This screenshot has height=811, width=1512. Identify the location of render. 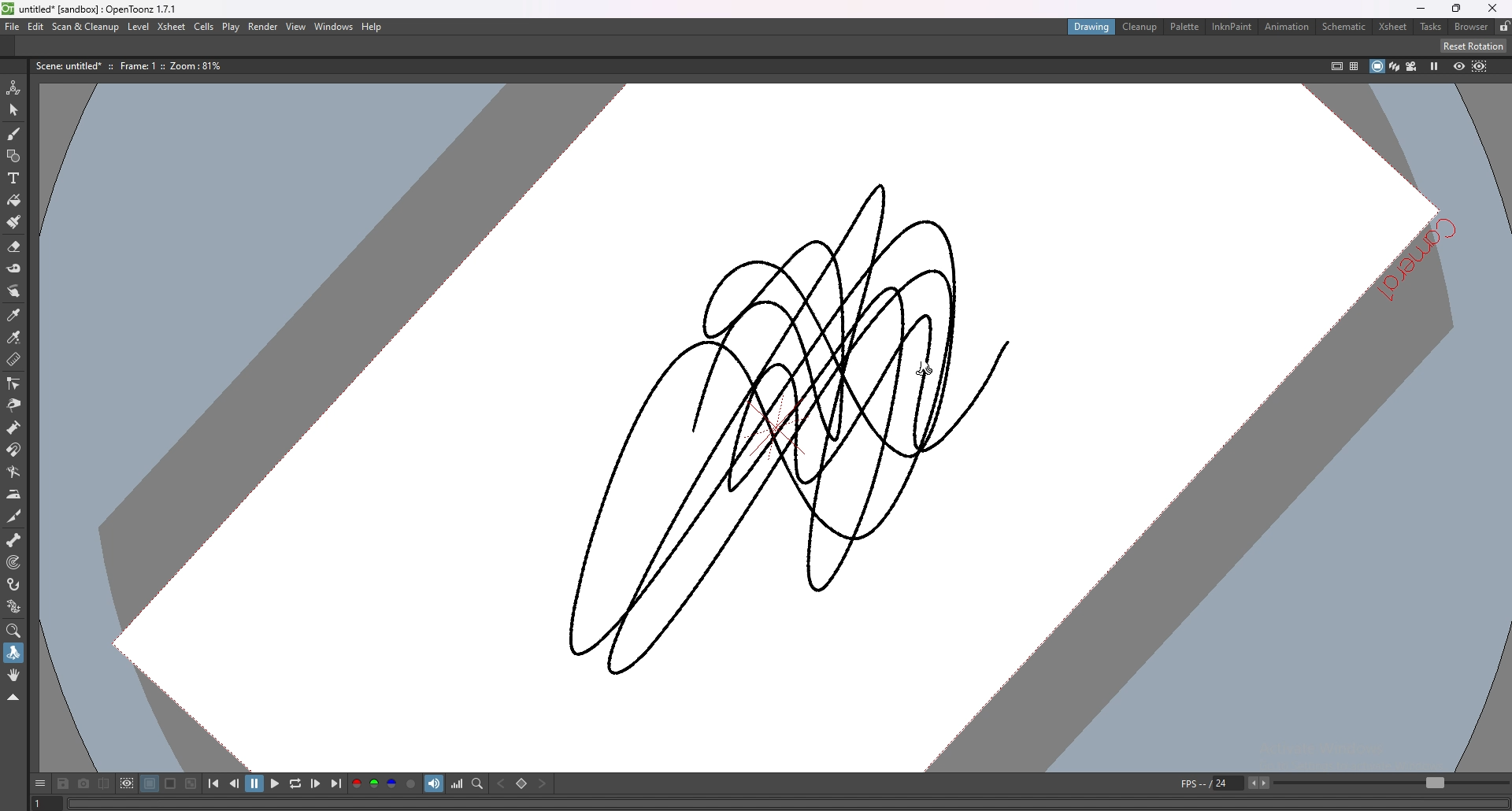
(263, 26).